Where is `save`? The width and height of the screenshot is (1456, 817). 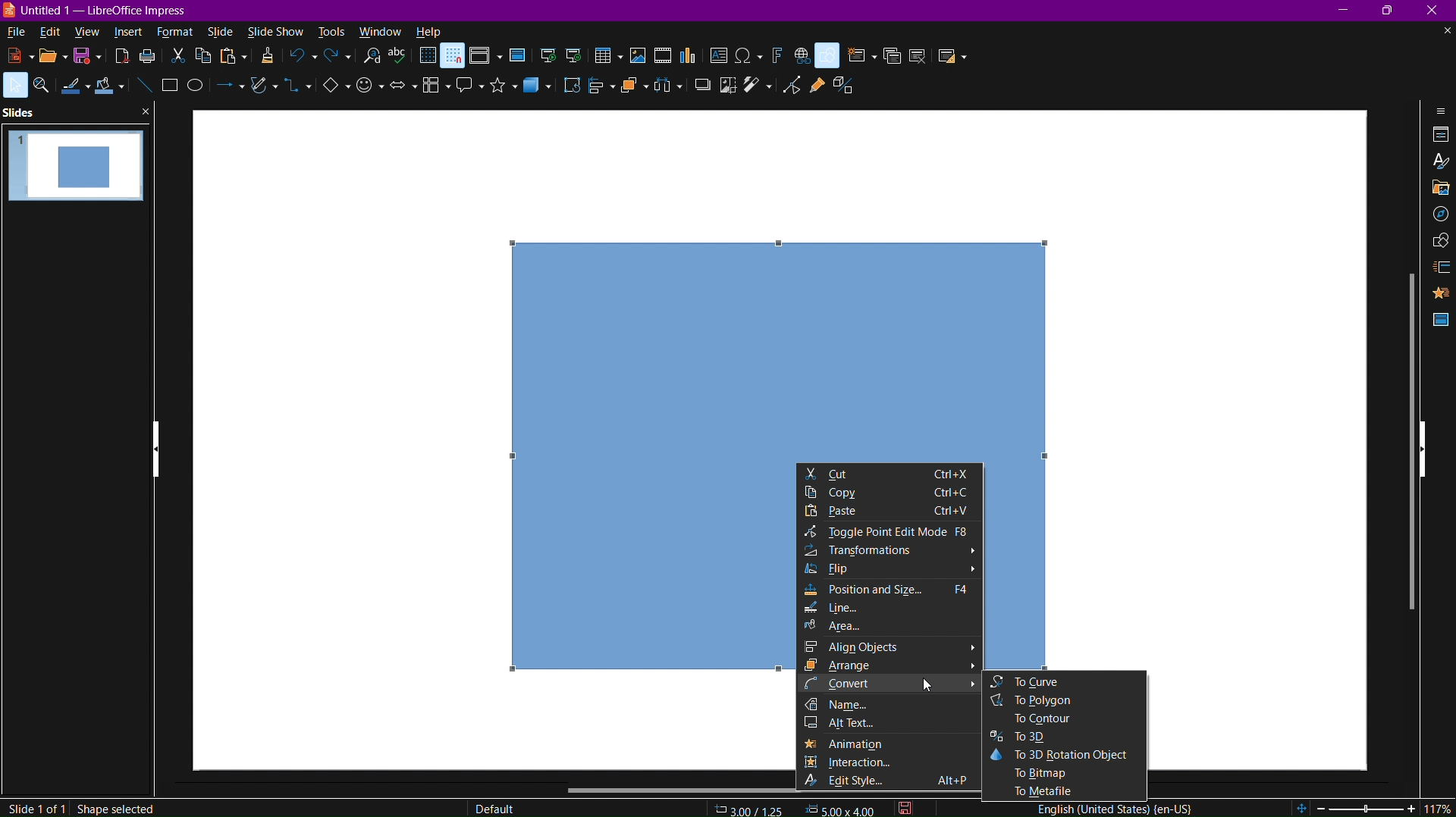 save is located at coordinates (89, 60).